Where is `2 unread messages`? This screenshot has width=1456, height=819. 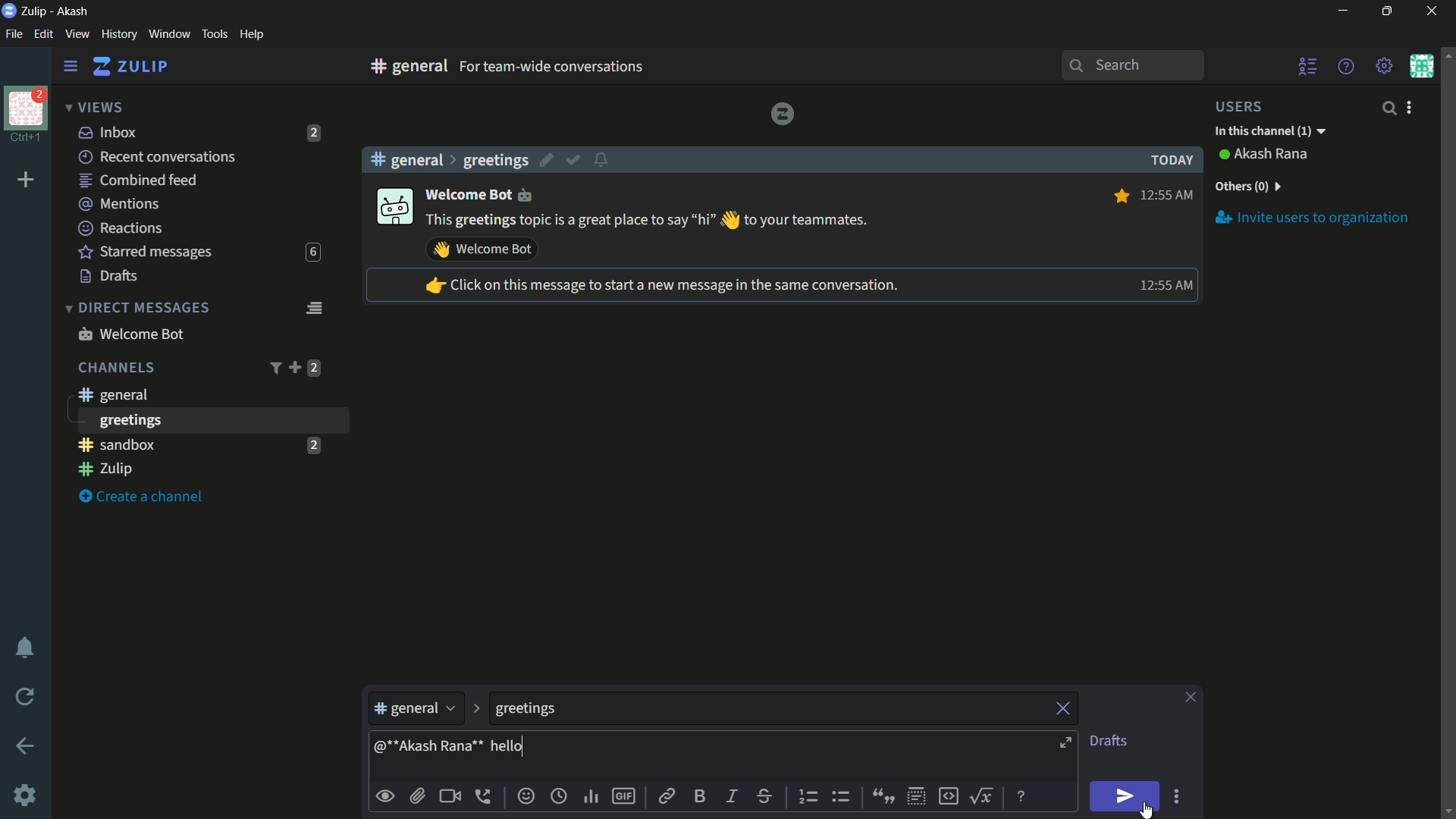
2 unread messages is located at coordinates (314, 368).